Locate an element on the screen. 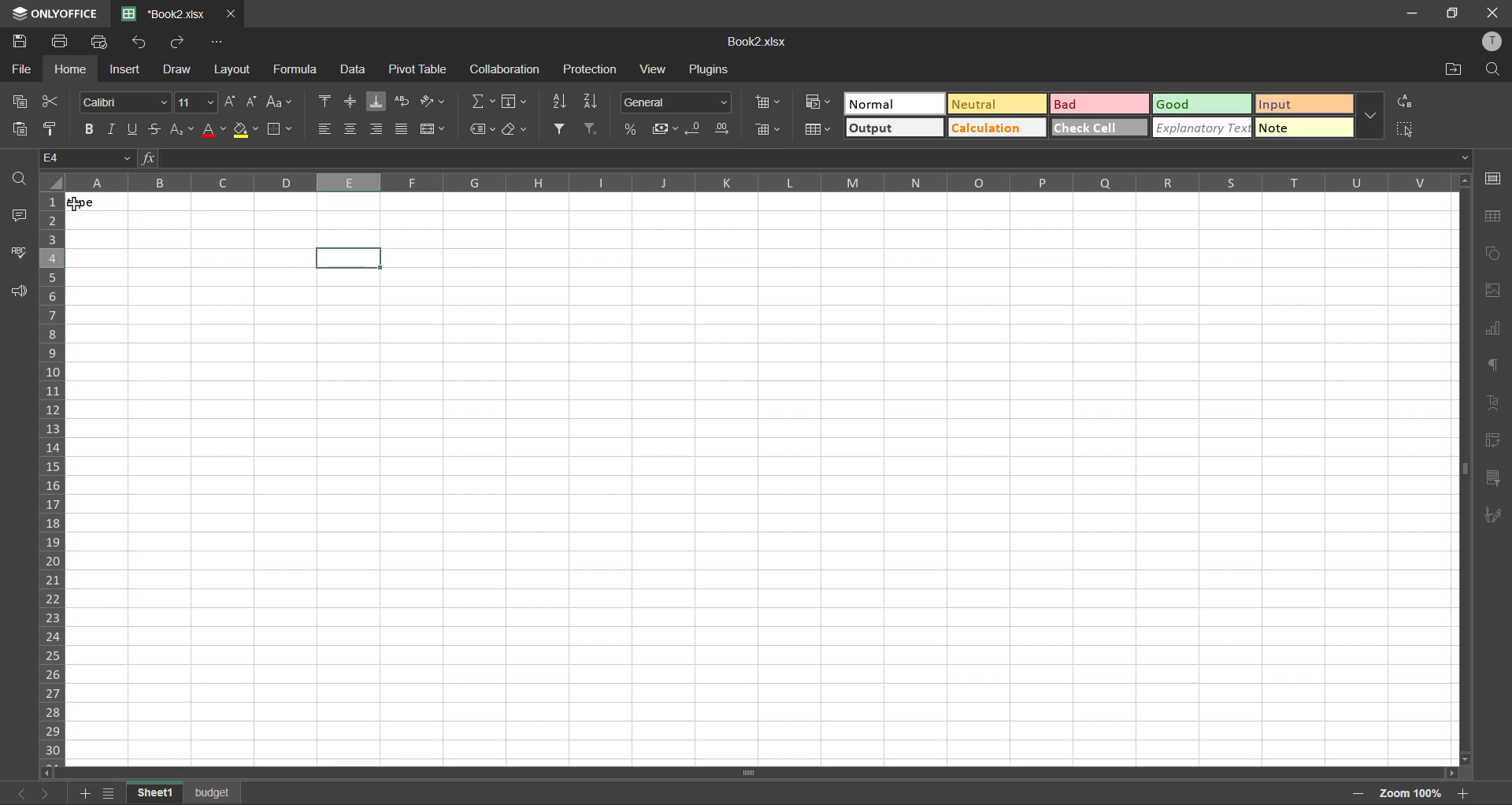  bold is located at coordinates (86, 128).